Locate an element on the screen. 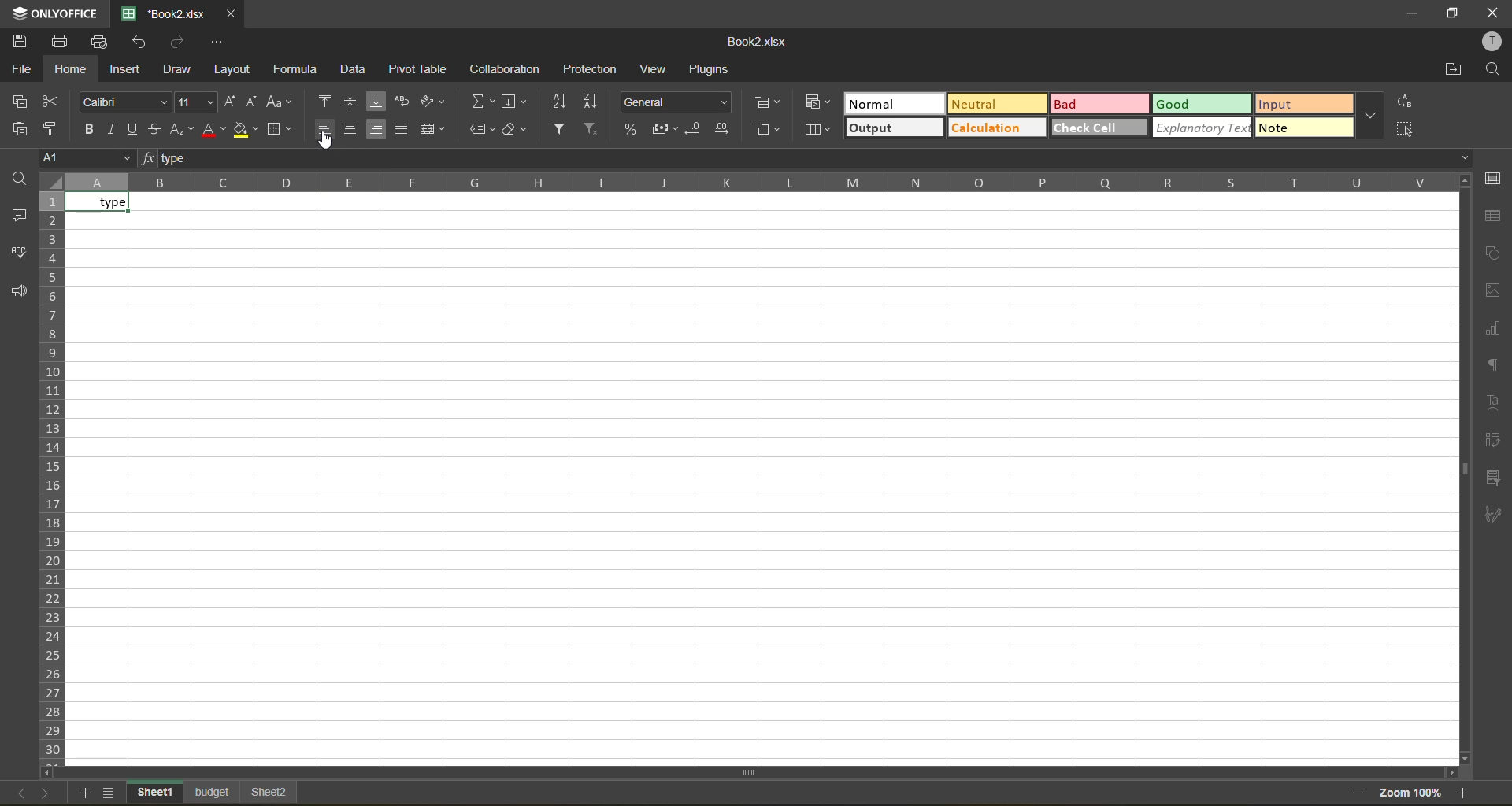 This screenshot has width=1512, height=806. feedback is located at coordinates (17, 294).